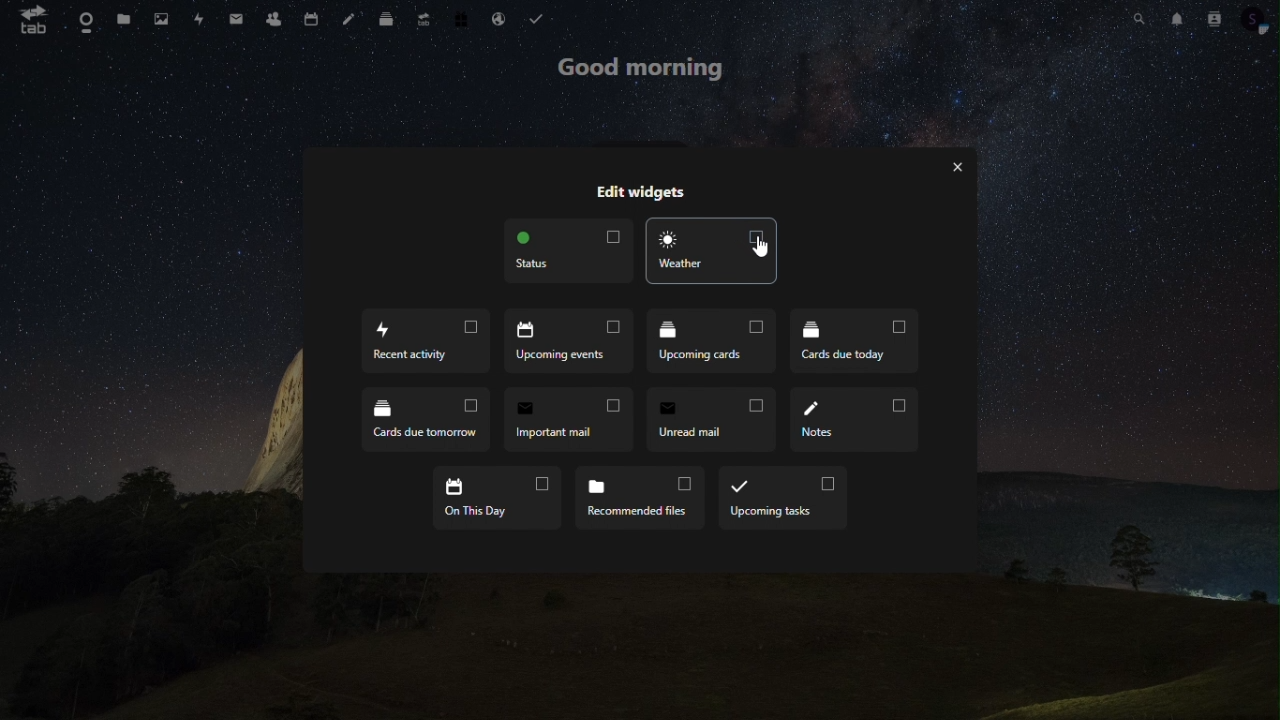 This screenshot has height=720, width=1280. What do you see at coordinates (464, 21) in the screenshot?
I see `free trial` at bounding box center [464, 21].